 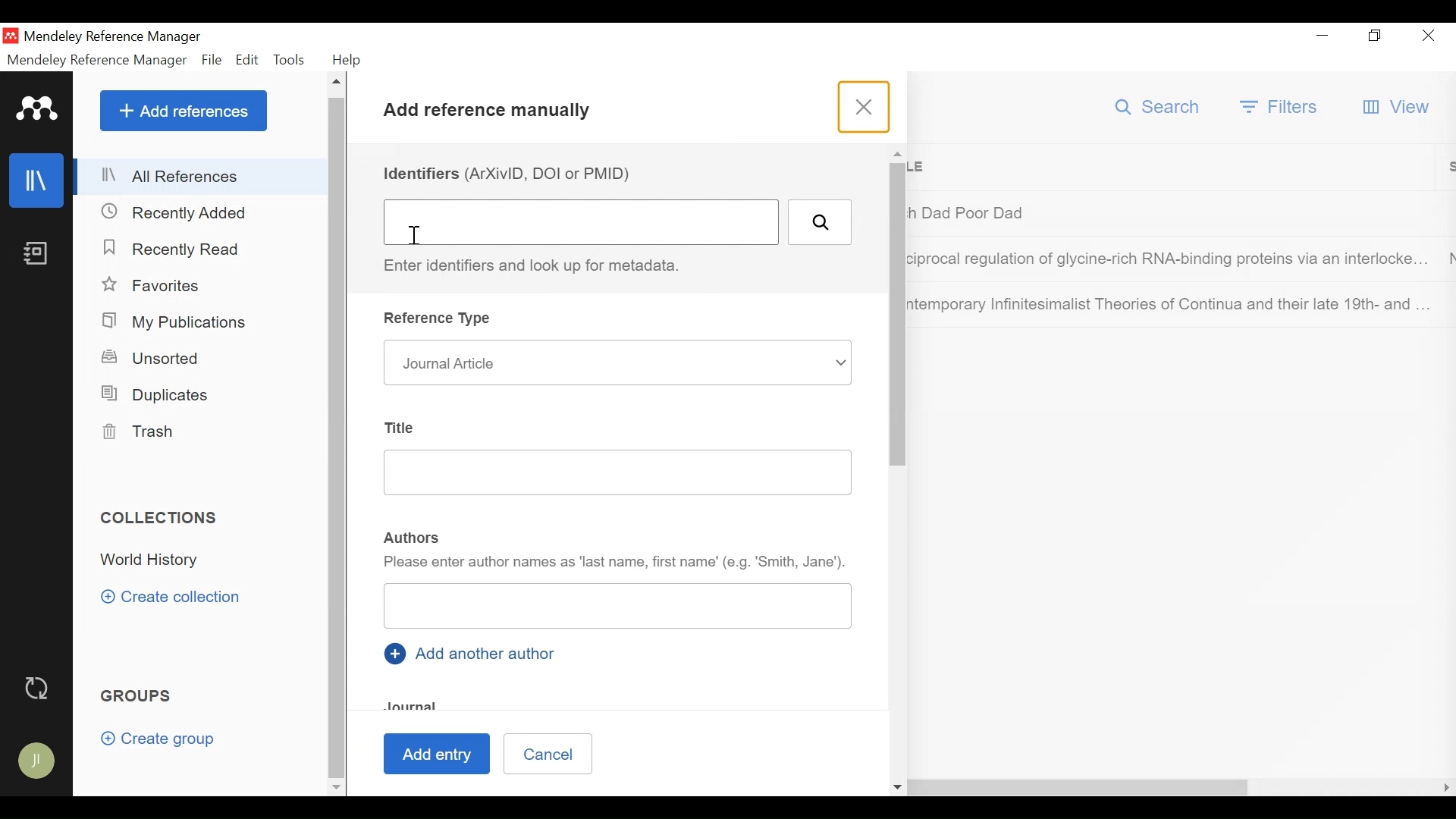 What do you see at coordinates (867, 107) in the screenshot?
I see `close` at bounding box center [867, 107].